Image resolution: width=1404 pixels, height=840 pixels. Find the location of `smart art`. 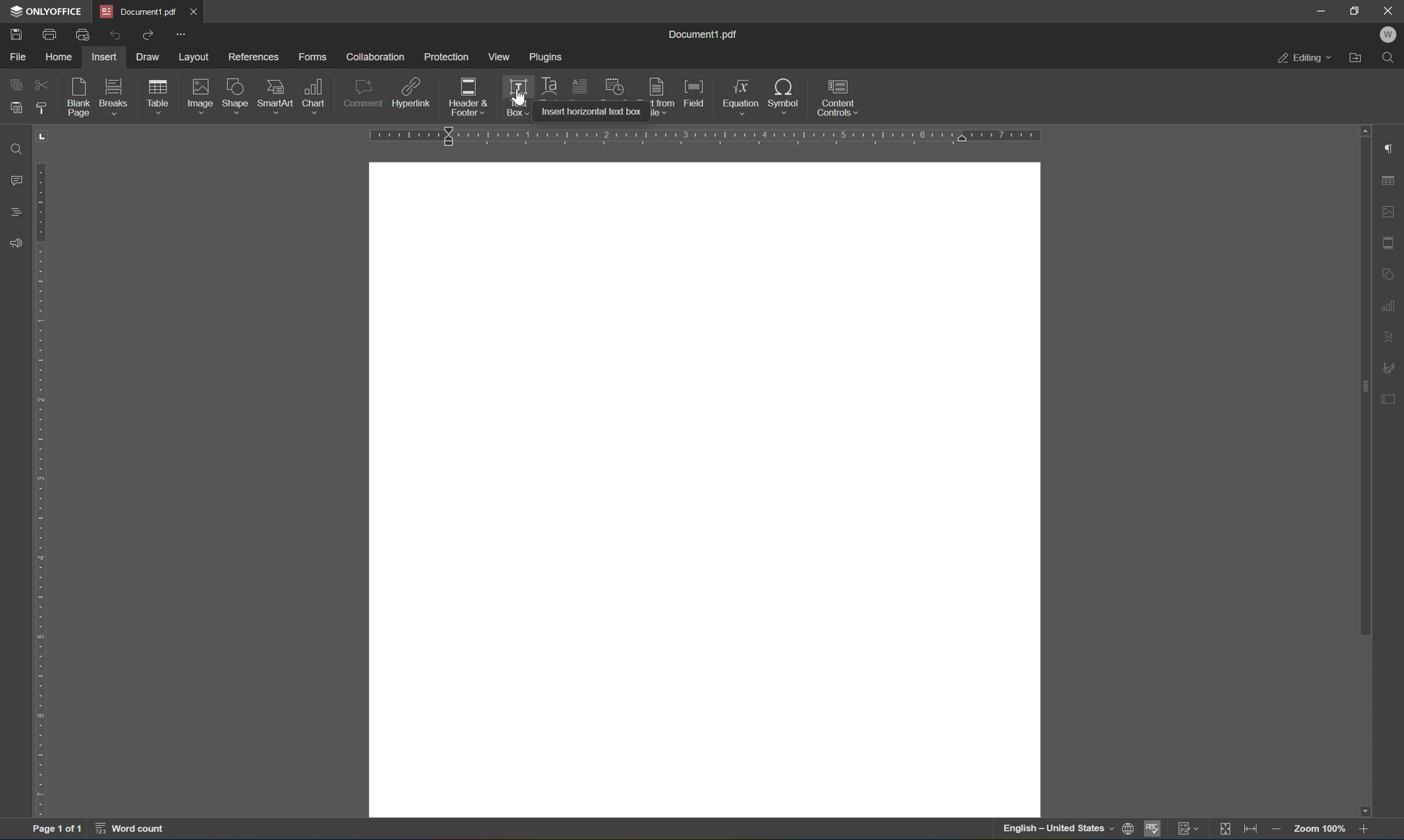

smart art is located at coordinates (277, 96).